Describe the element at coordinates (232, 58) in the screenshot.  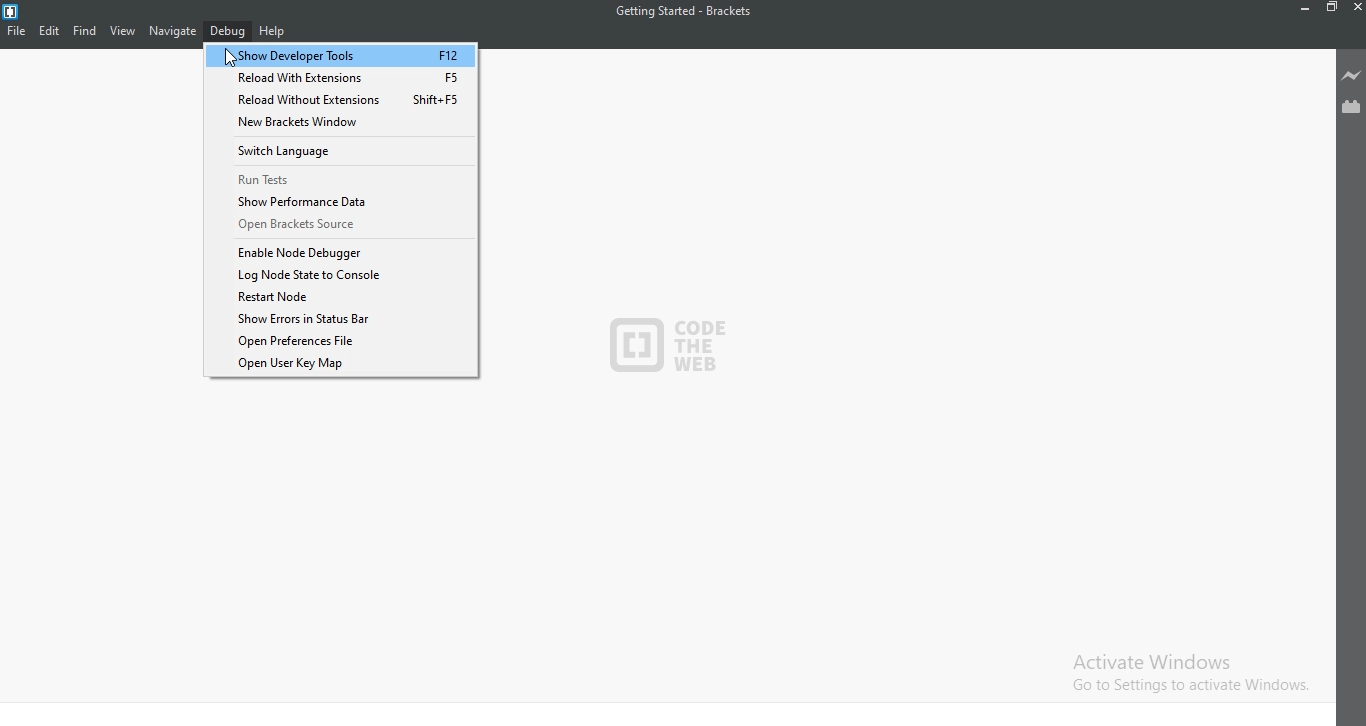
I see `Cursor` at that location.